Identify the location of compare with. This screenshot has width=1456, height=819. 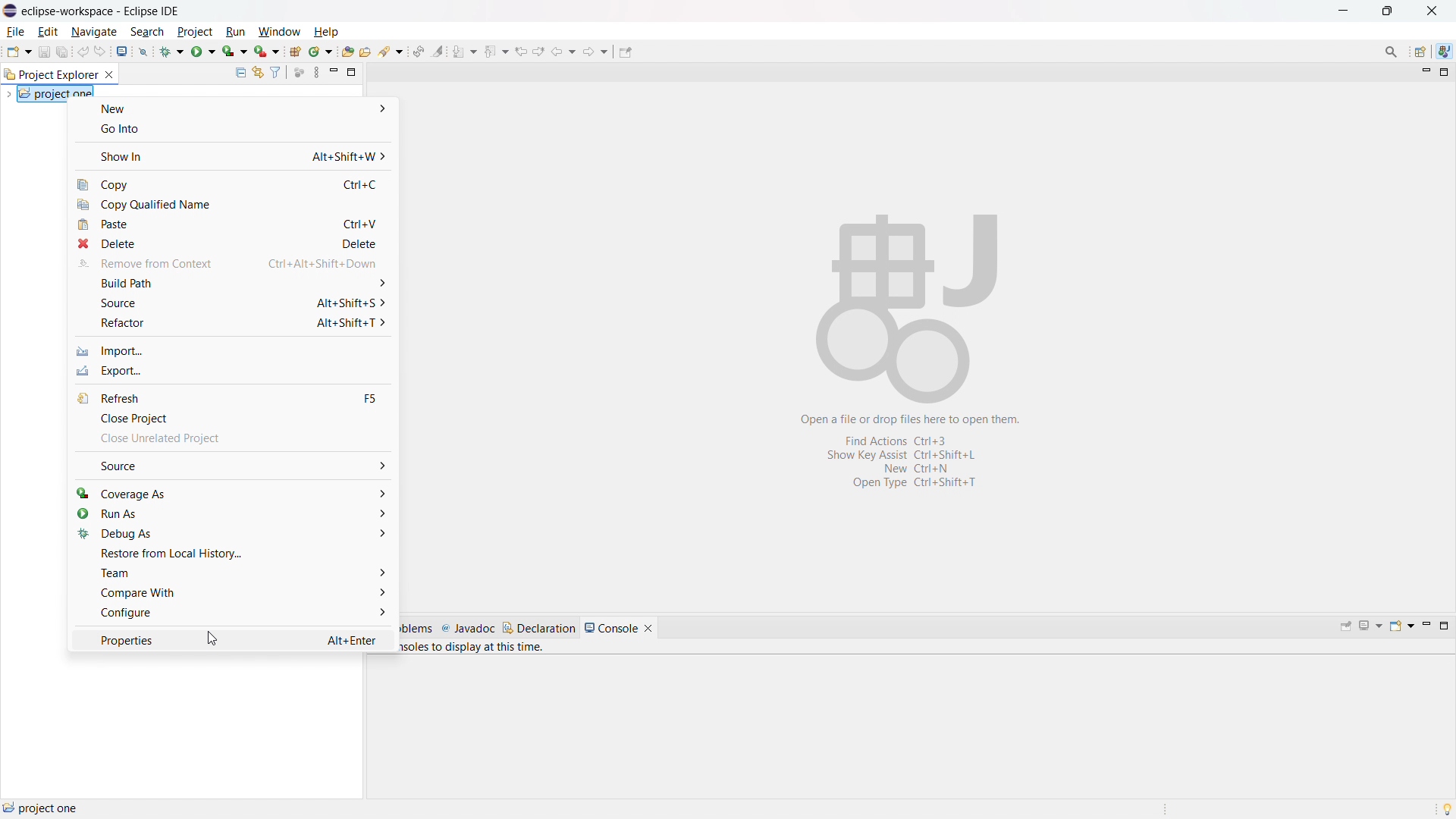
(231, 592).